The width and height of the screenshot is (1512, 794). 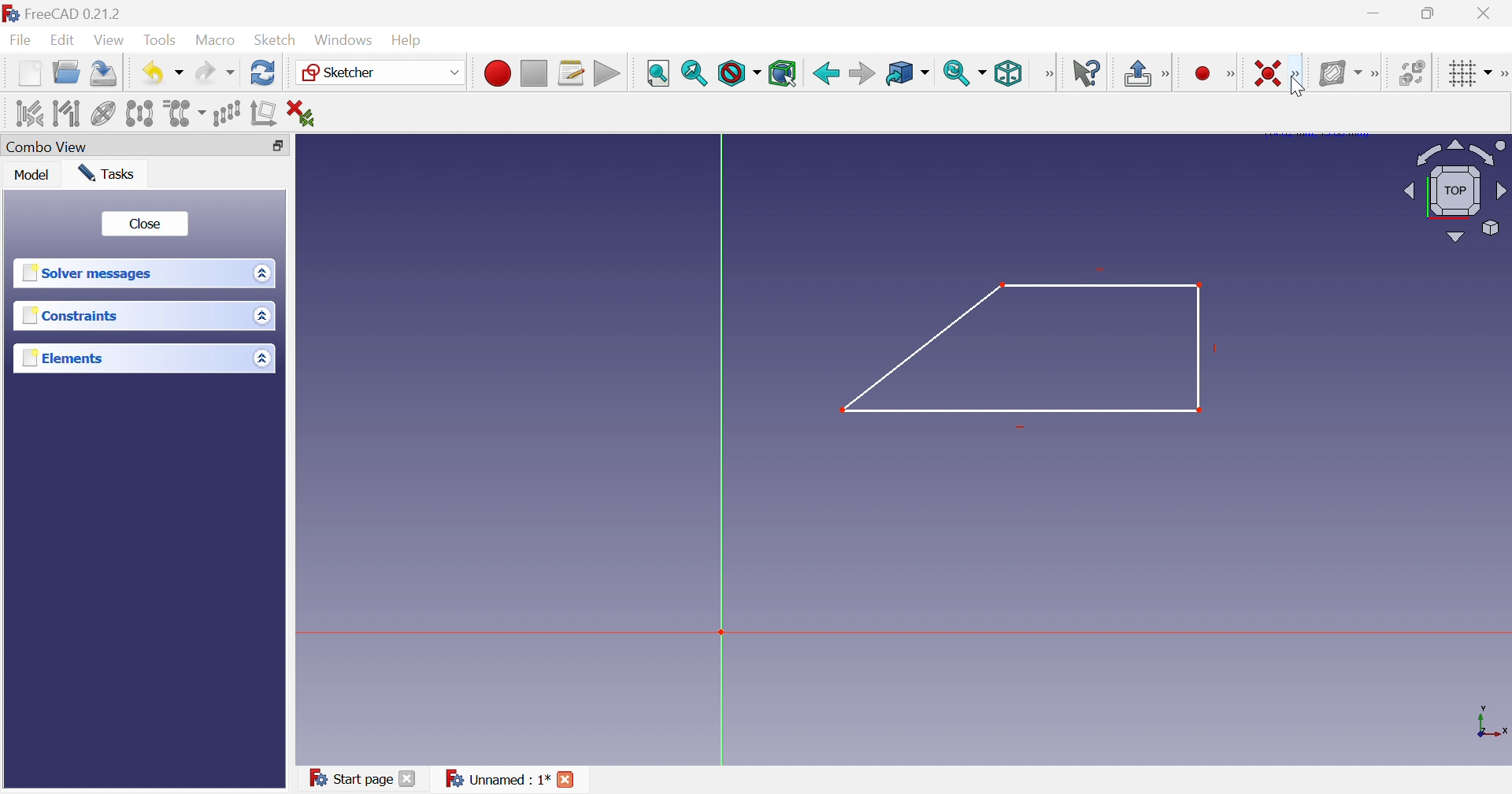 What do you see at coordinates (606, 73) in the screenshot?
I see `Execute macro` at bounding box center [606, 73].